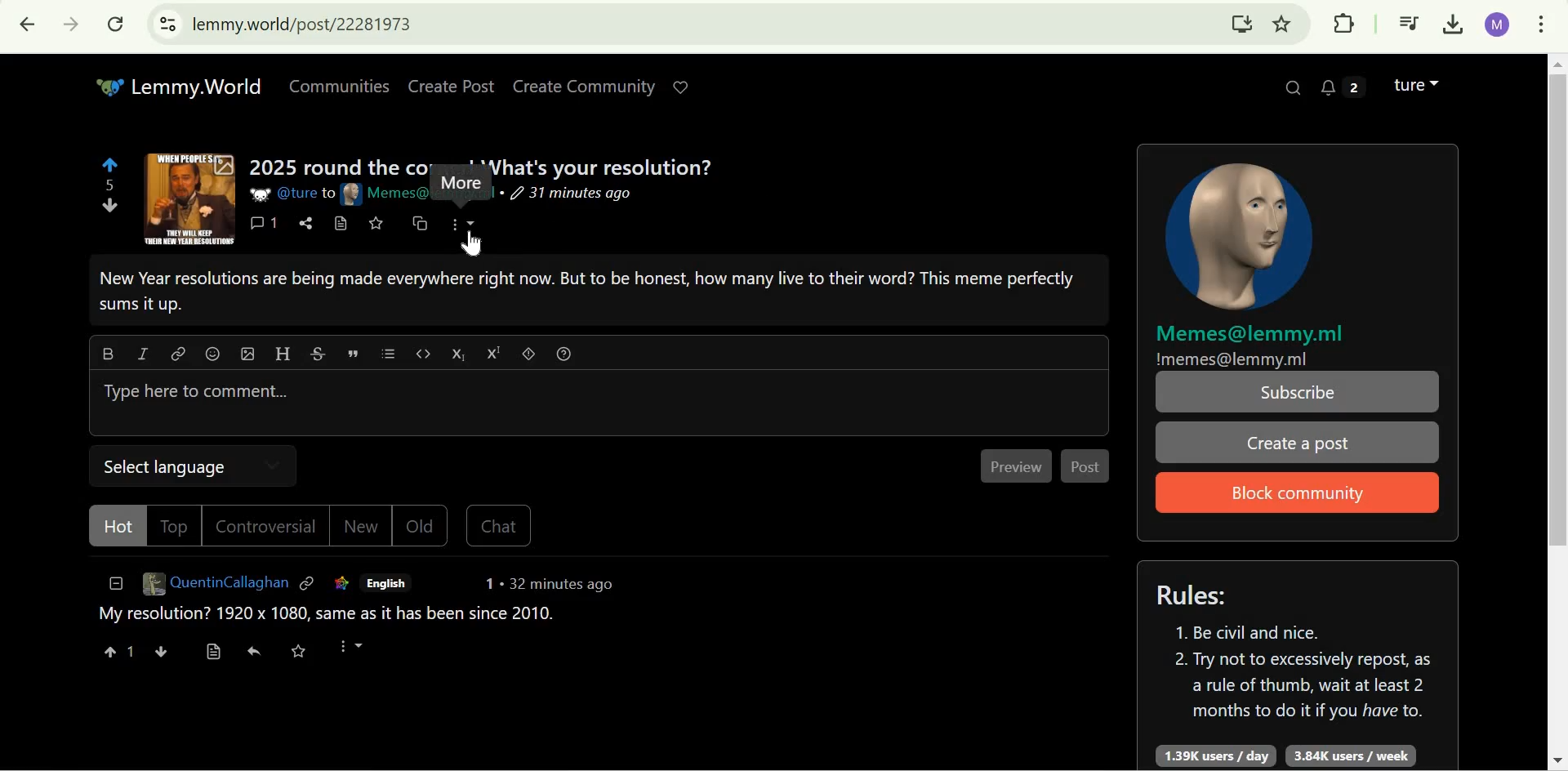 The image size is (1568, 771). Describe the element at coordinates (179, 352) in the screenshot. I see `link` at that location.